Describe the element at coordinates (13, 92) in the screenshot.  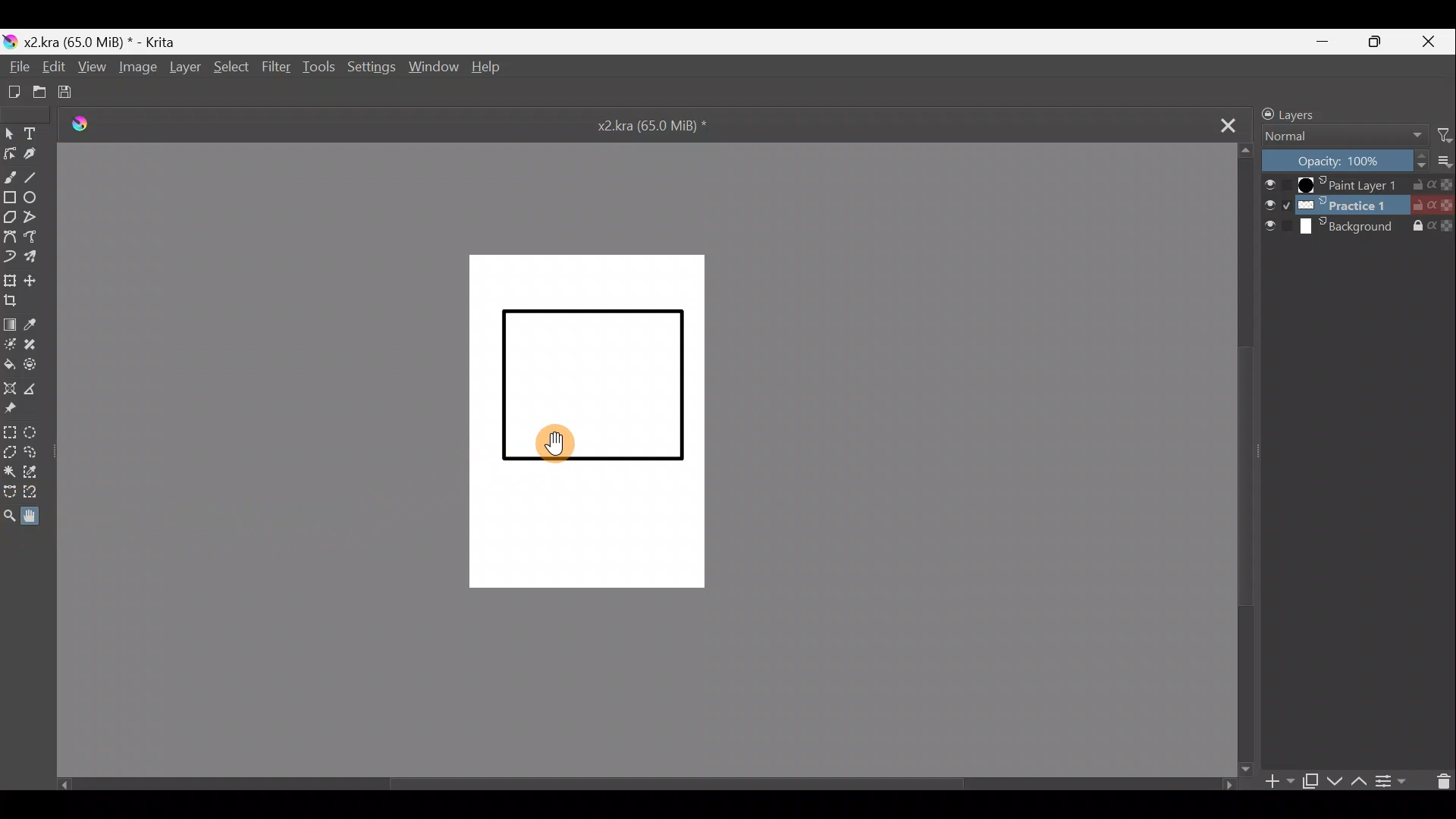
I see `Create a new document` at that location.